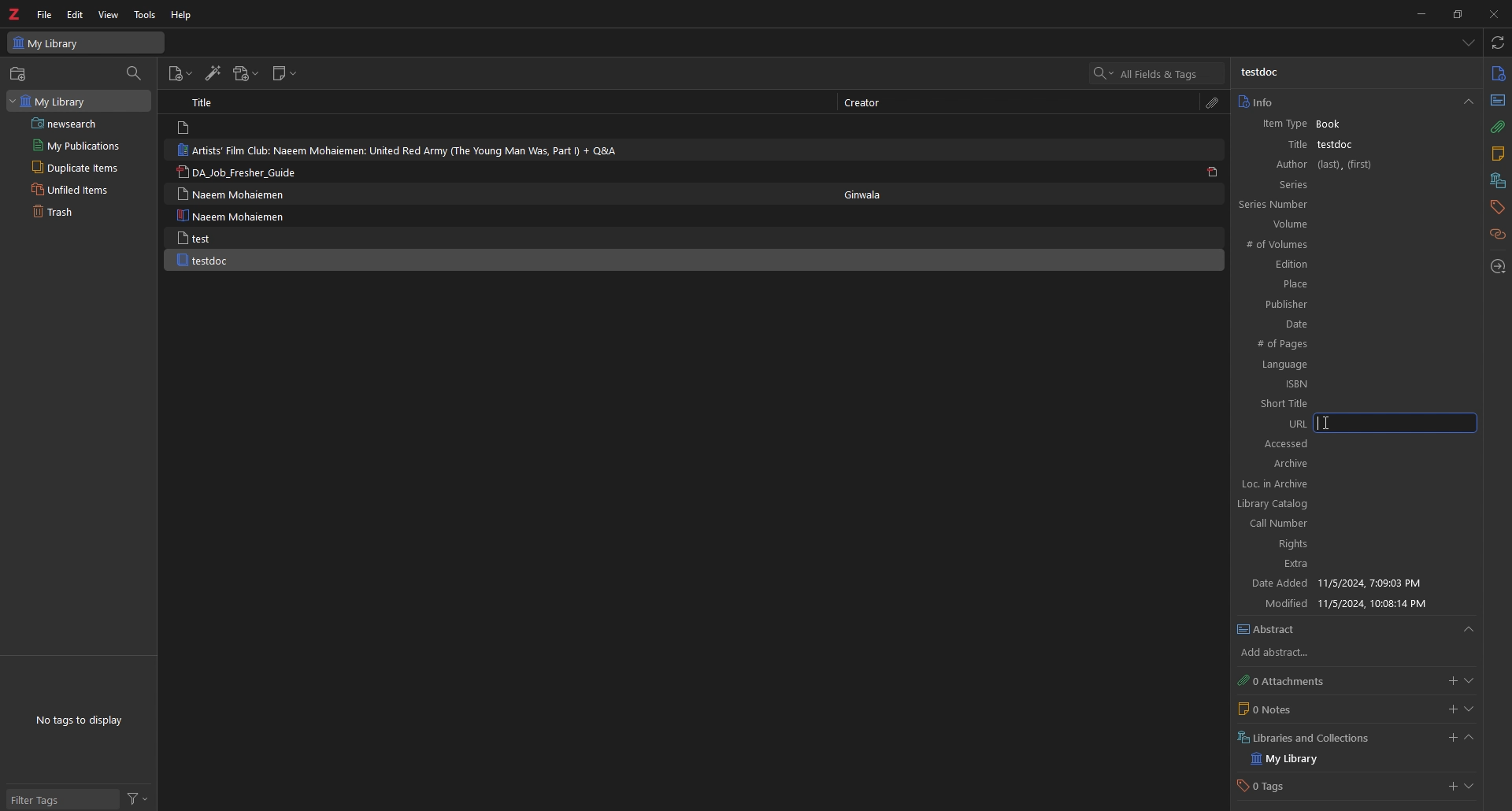  Describe the element at coordinates (1469, 709) in the screenshot. I see `show` at that location.